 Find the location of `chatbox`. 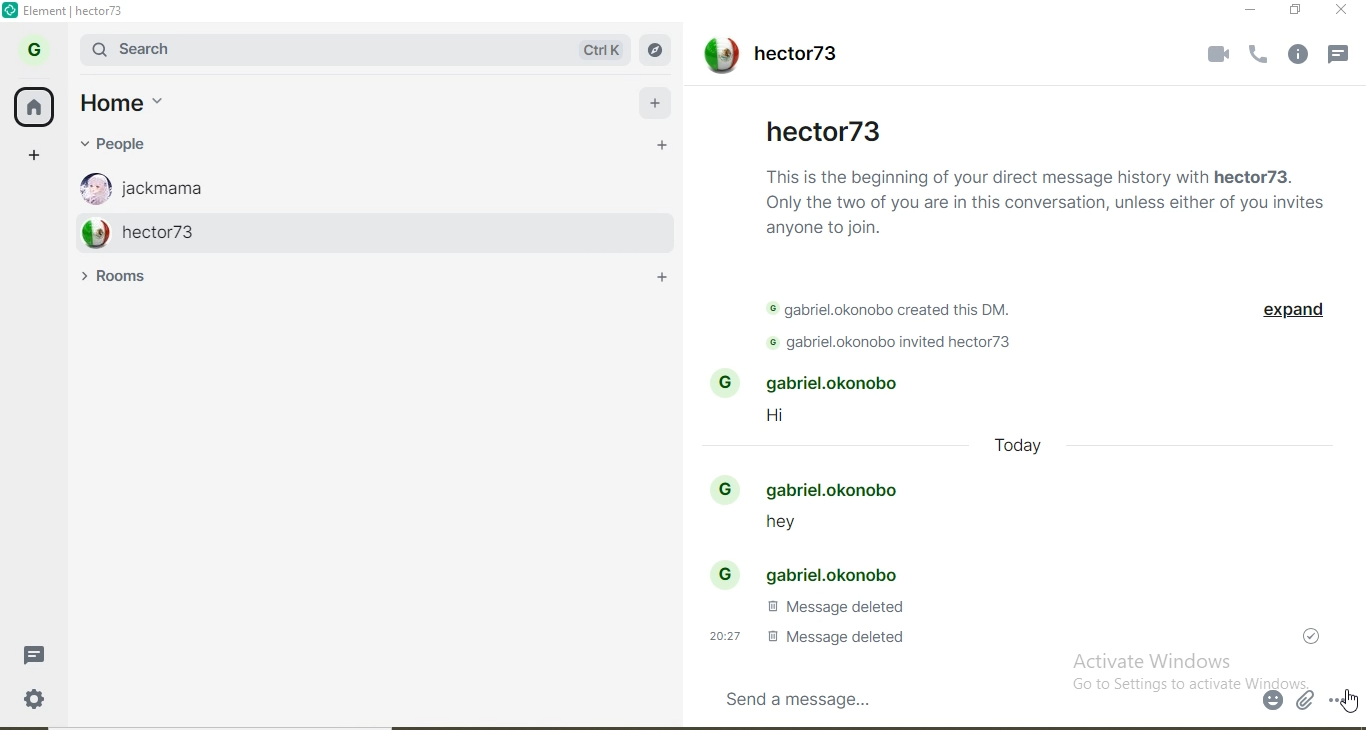

chatbox is located at coordinates (976, 698).